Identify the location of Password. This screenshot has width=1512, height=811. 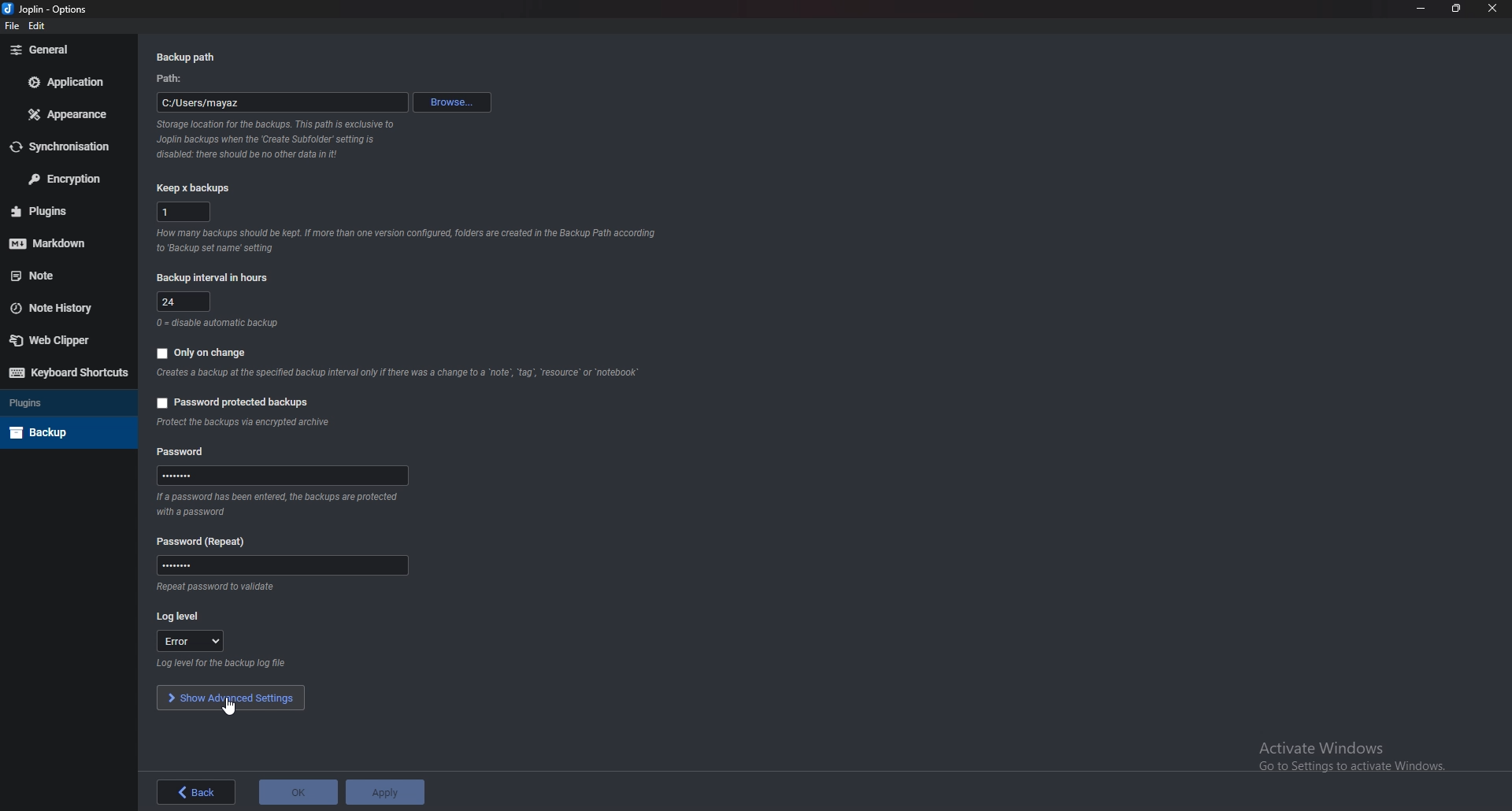
(186, 453).